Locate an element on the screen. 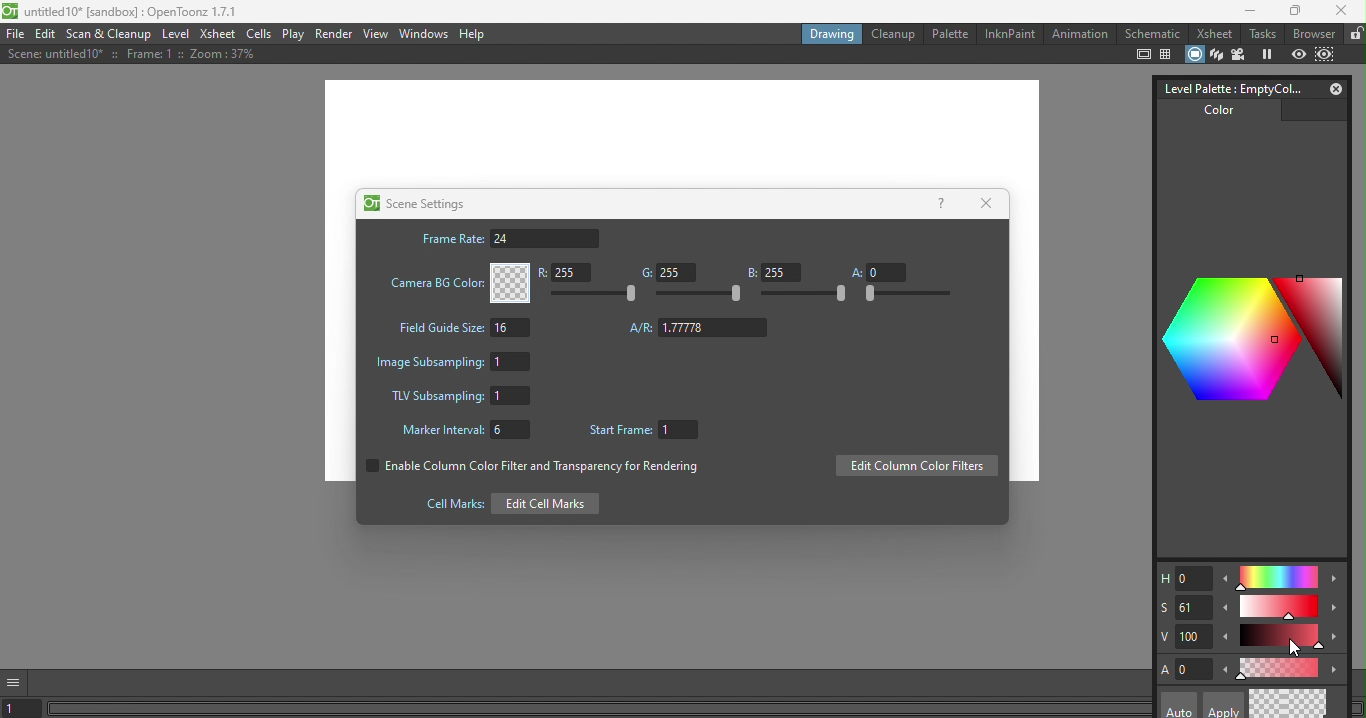  Slide bar is located at coordinates (598, 294).